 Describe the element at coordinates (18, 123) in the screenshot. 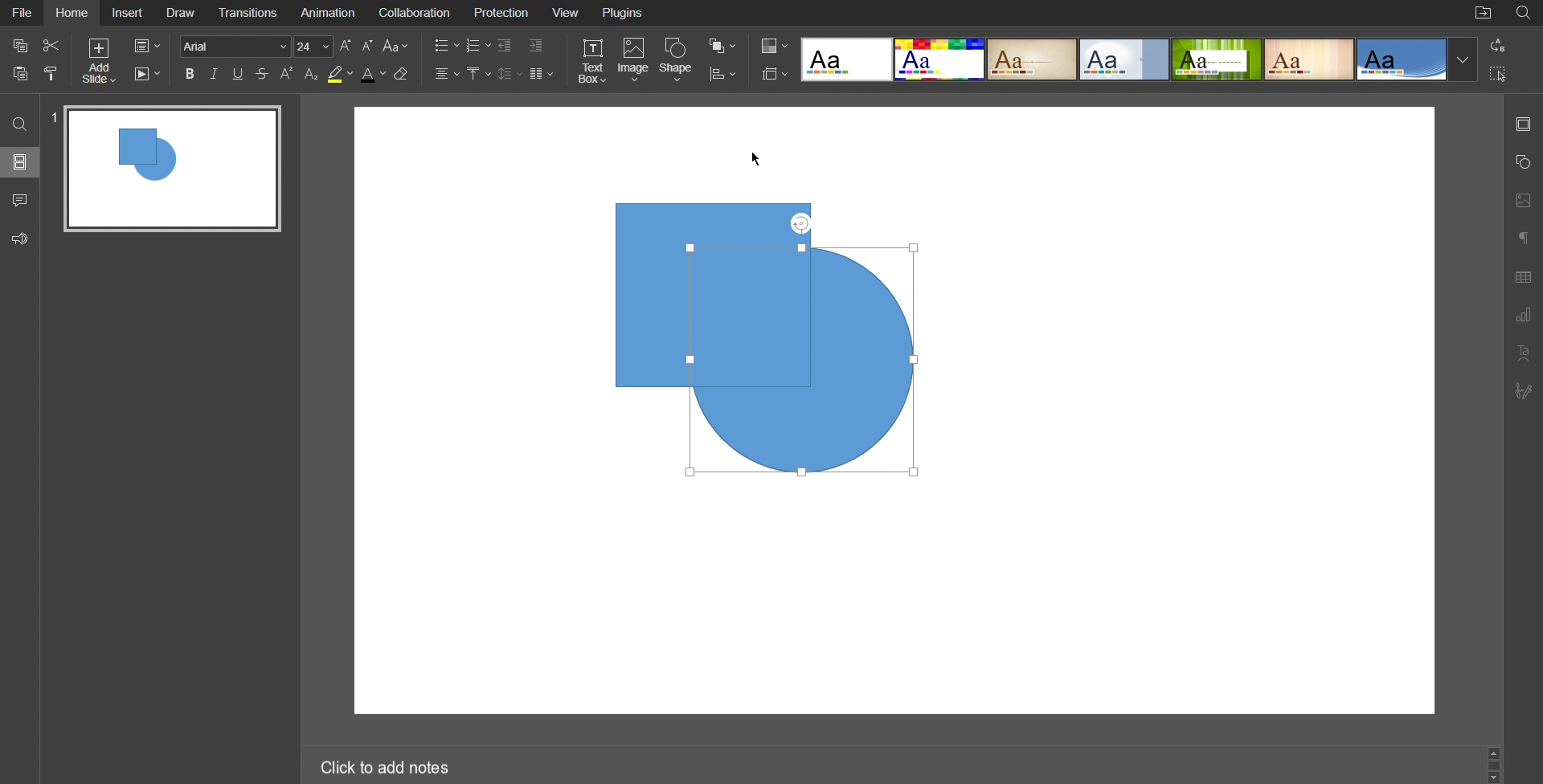

I see `Search` at that location.